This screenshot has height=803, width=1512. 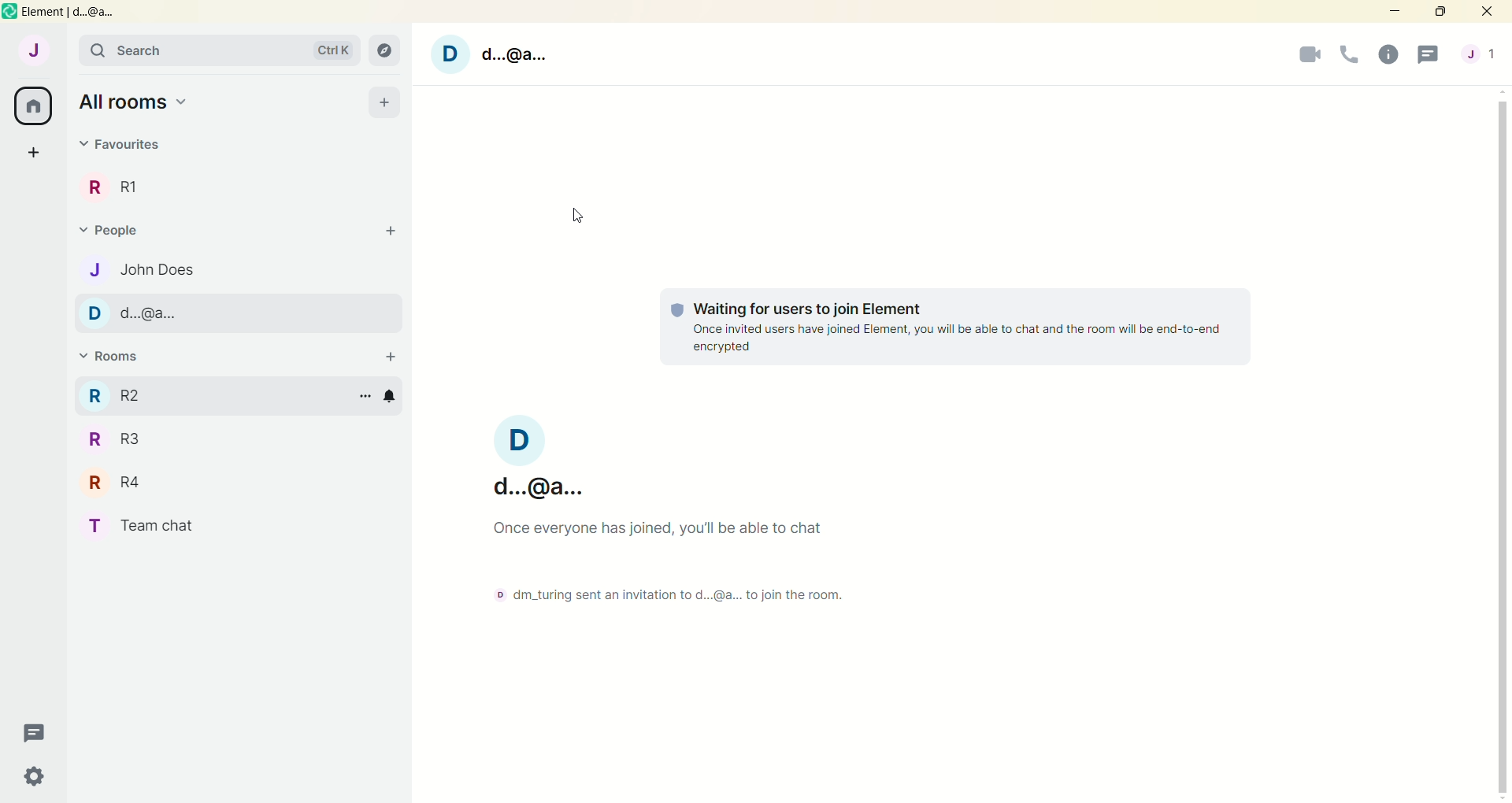 I want to click on Once everyone has joined, you'll be able to chat, so click(x=679, y=525).